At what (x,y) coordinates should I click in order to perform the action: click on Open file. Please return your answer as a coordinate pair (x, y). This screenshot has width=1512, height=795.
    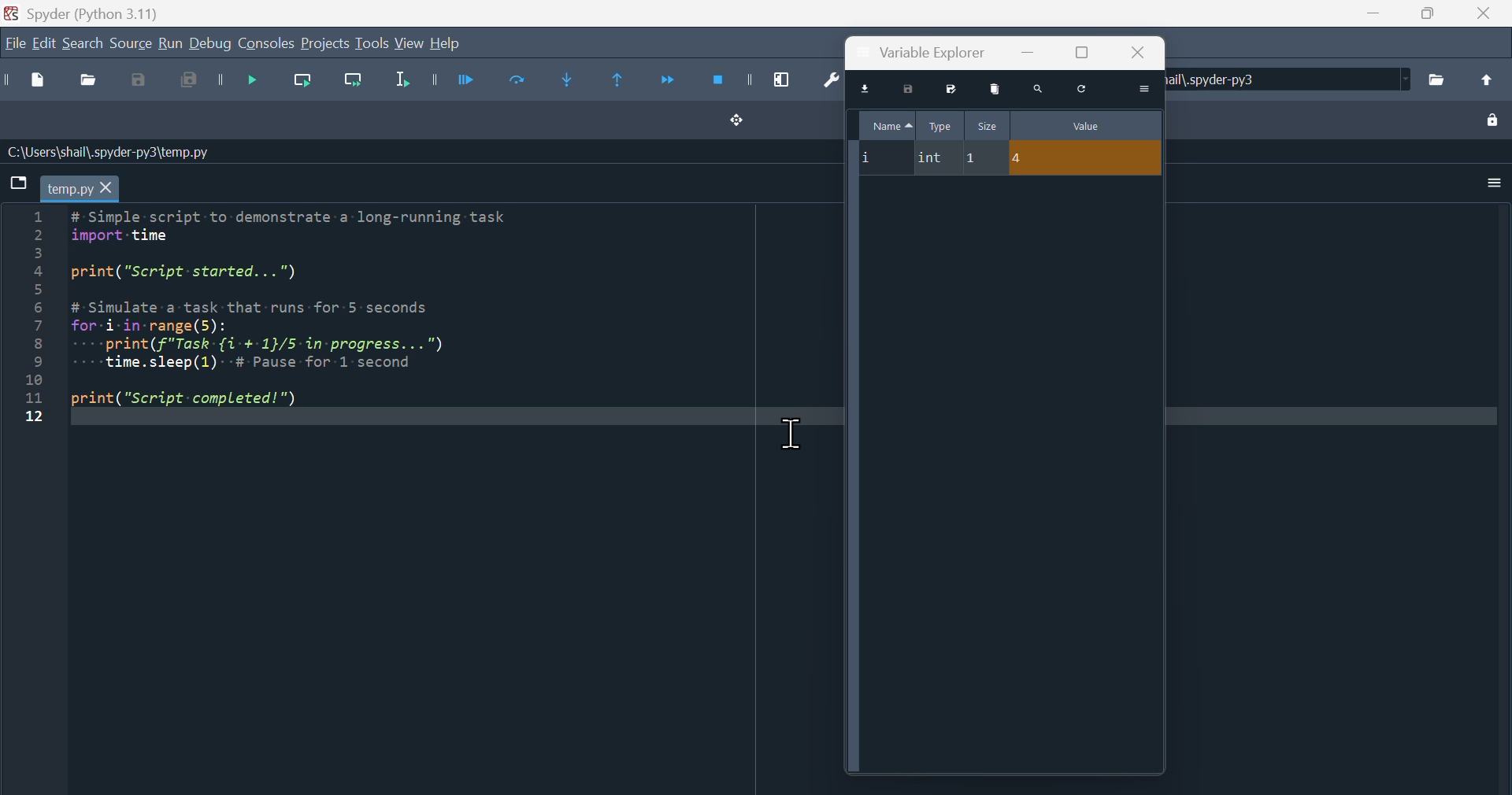
    Looking at the image, I should click on (87, 82).